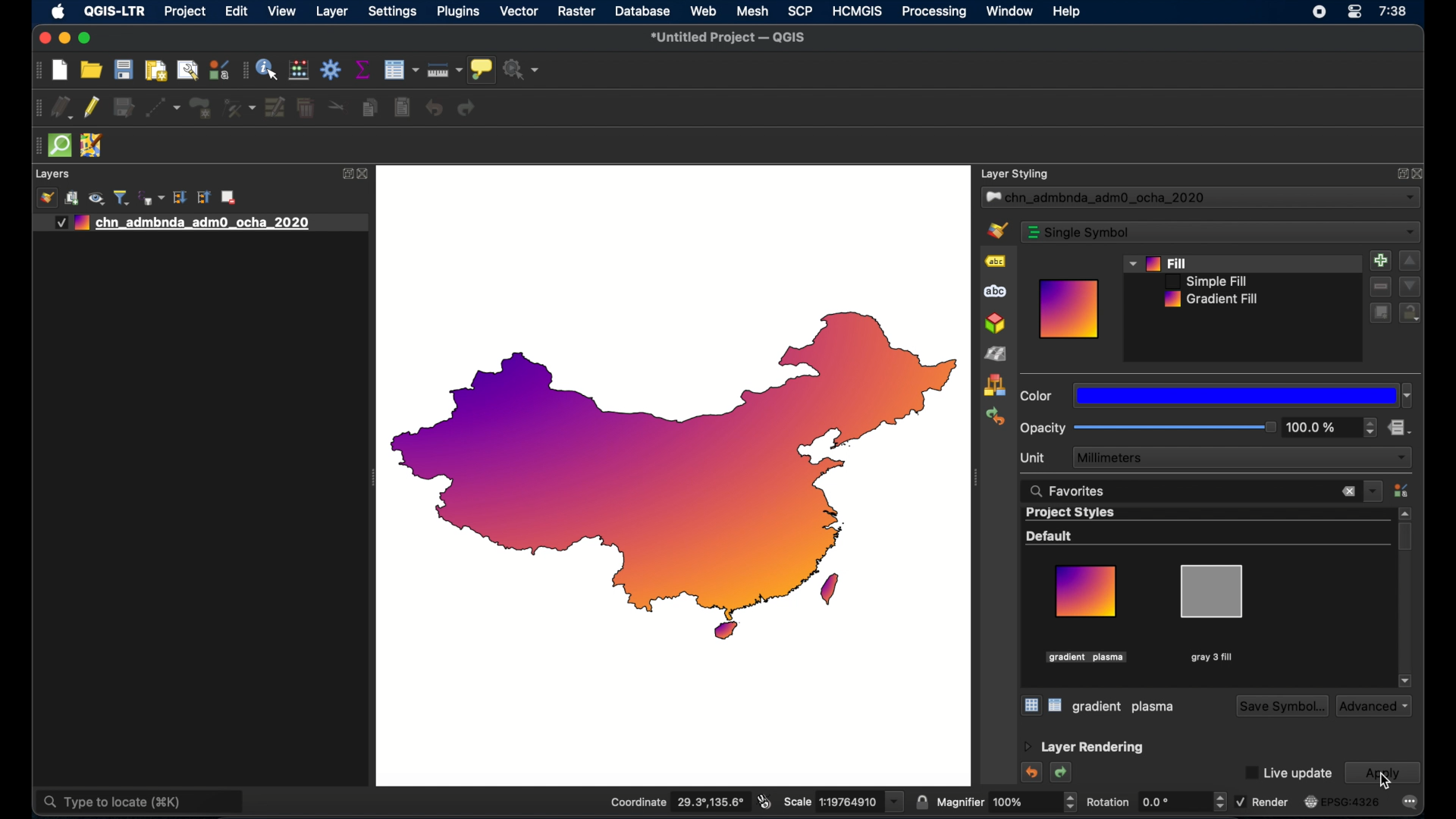 The image size is (1456, 819). What do you see at coordinates (44, 39) in the screenshot?
I see `close` at bounding box center [44, 39].